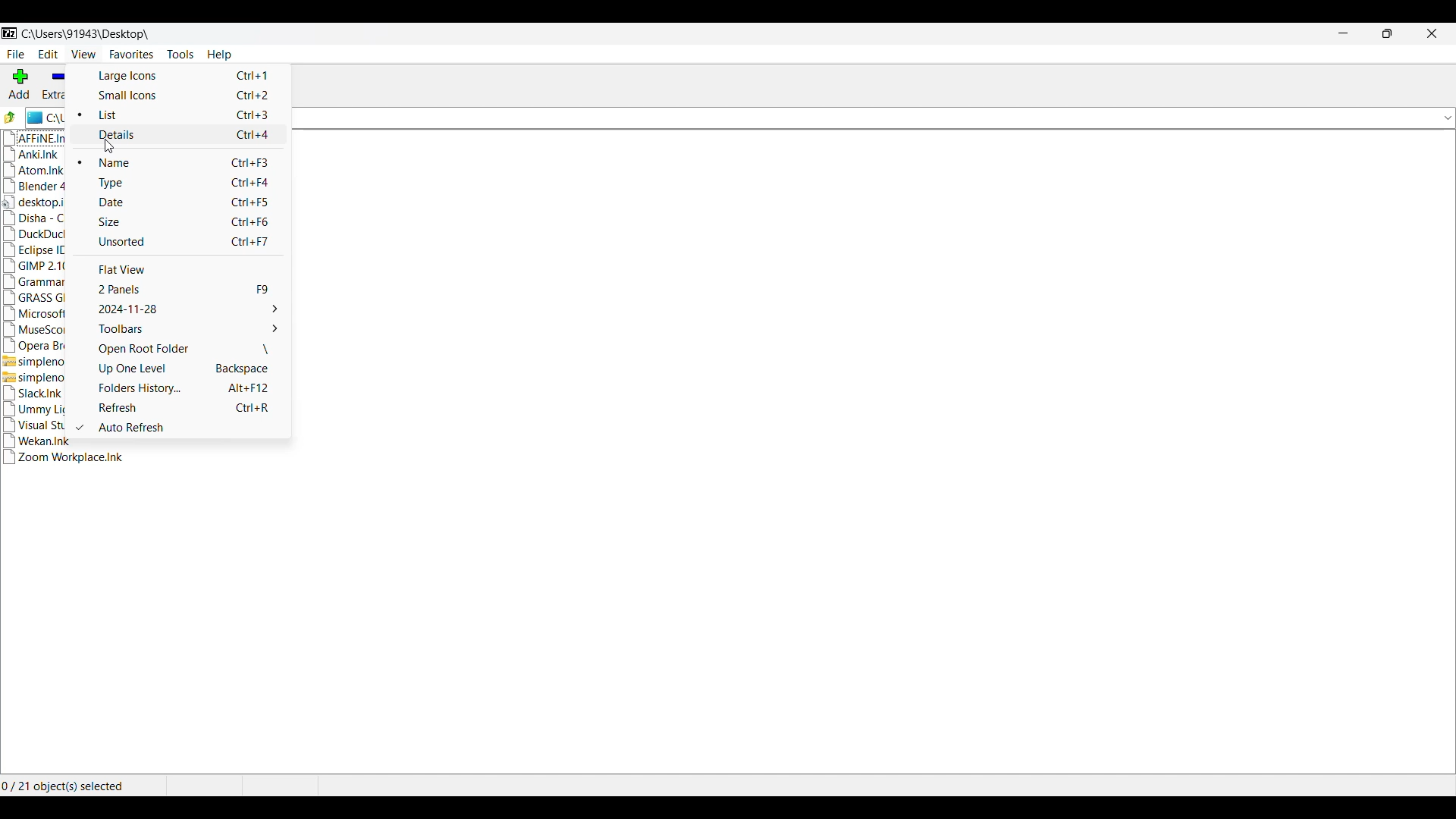 This screenshot has height=819, width=1456. I want to click on Auto refresh, so click(189, 427).